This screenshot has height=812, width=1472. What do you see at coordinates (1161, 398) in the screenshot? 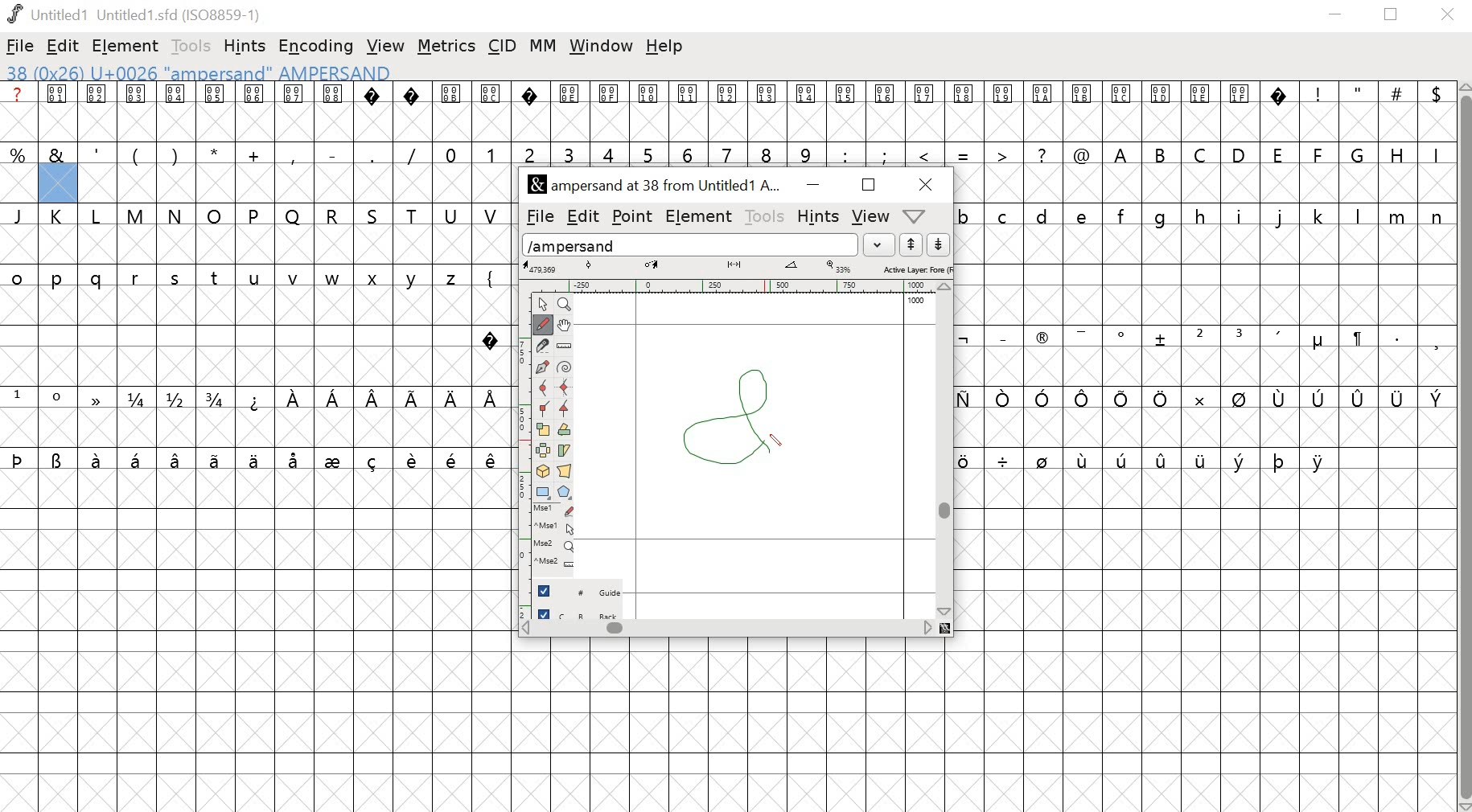
I see `symbol` at bounding box center [1161, 398].